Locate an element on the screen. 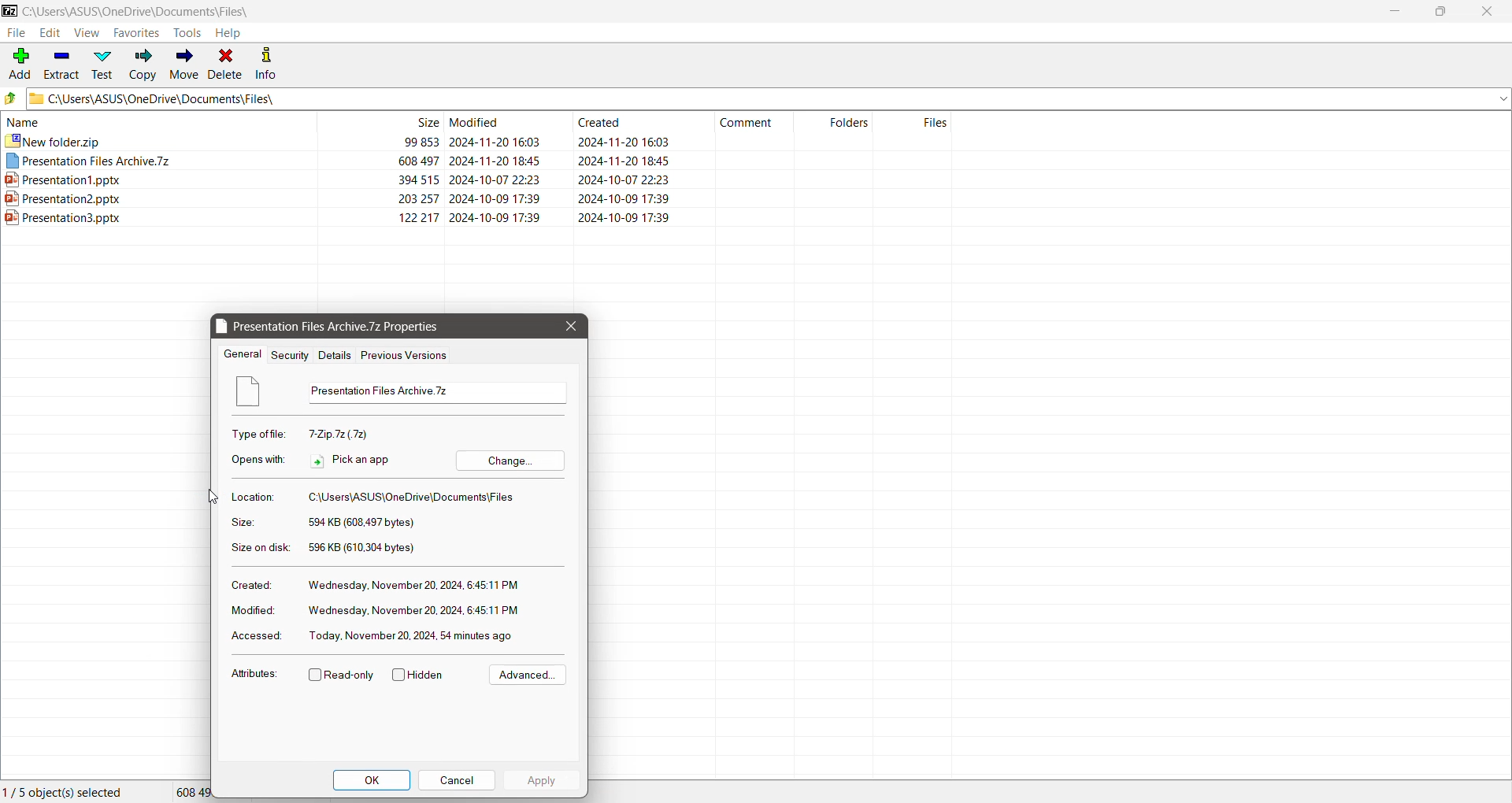  Favorites is located at coordinates (137, 33).